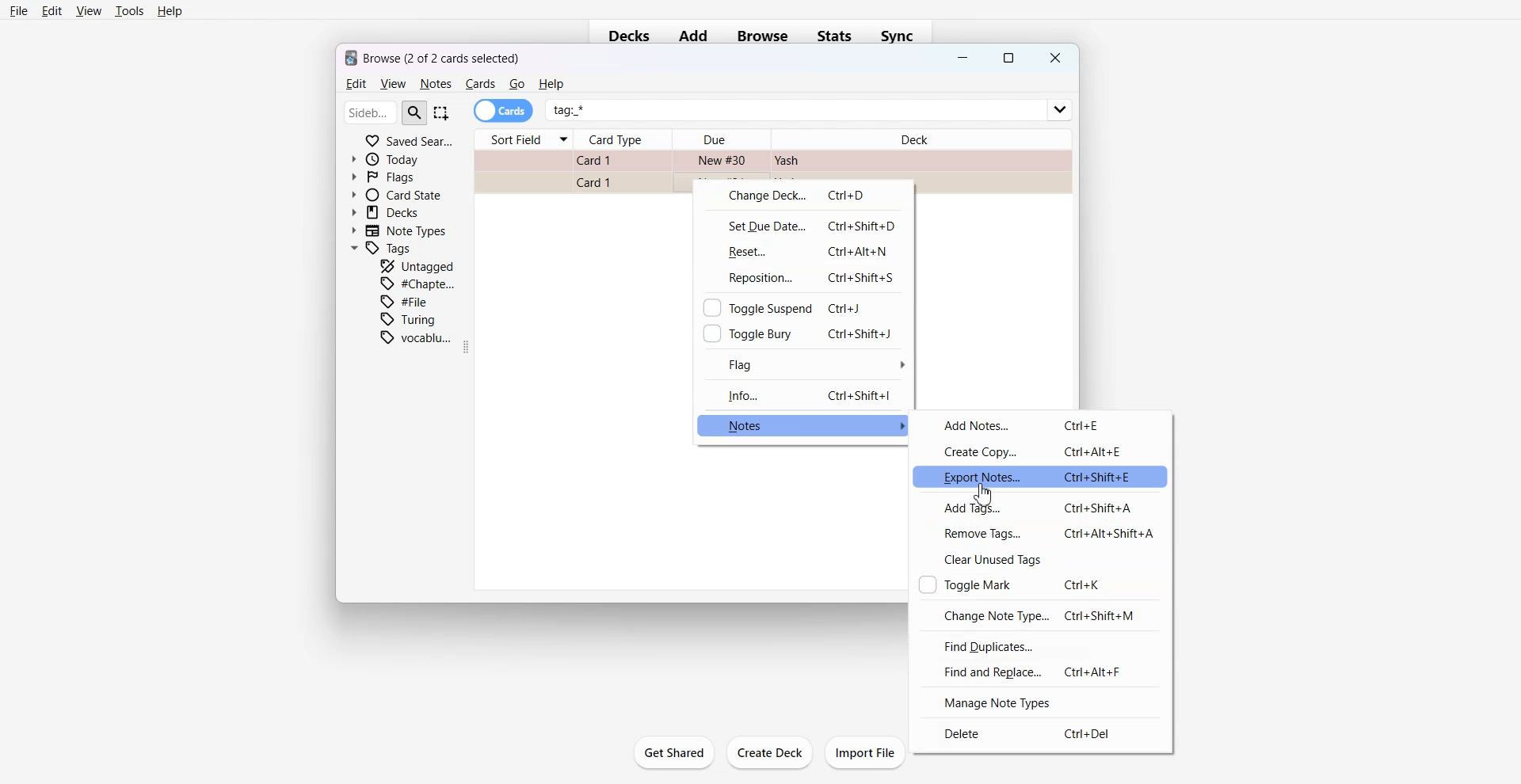 The image size is (1521, 784). Describe the element at coordinates (419, 283) in the screenshot. I see `Chapter` at that location.